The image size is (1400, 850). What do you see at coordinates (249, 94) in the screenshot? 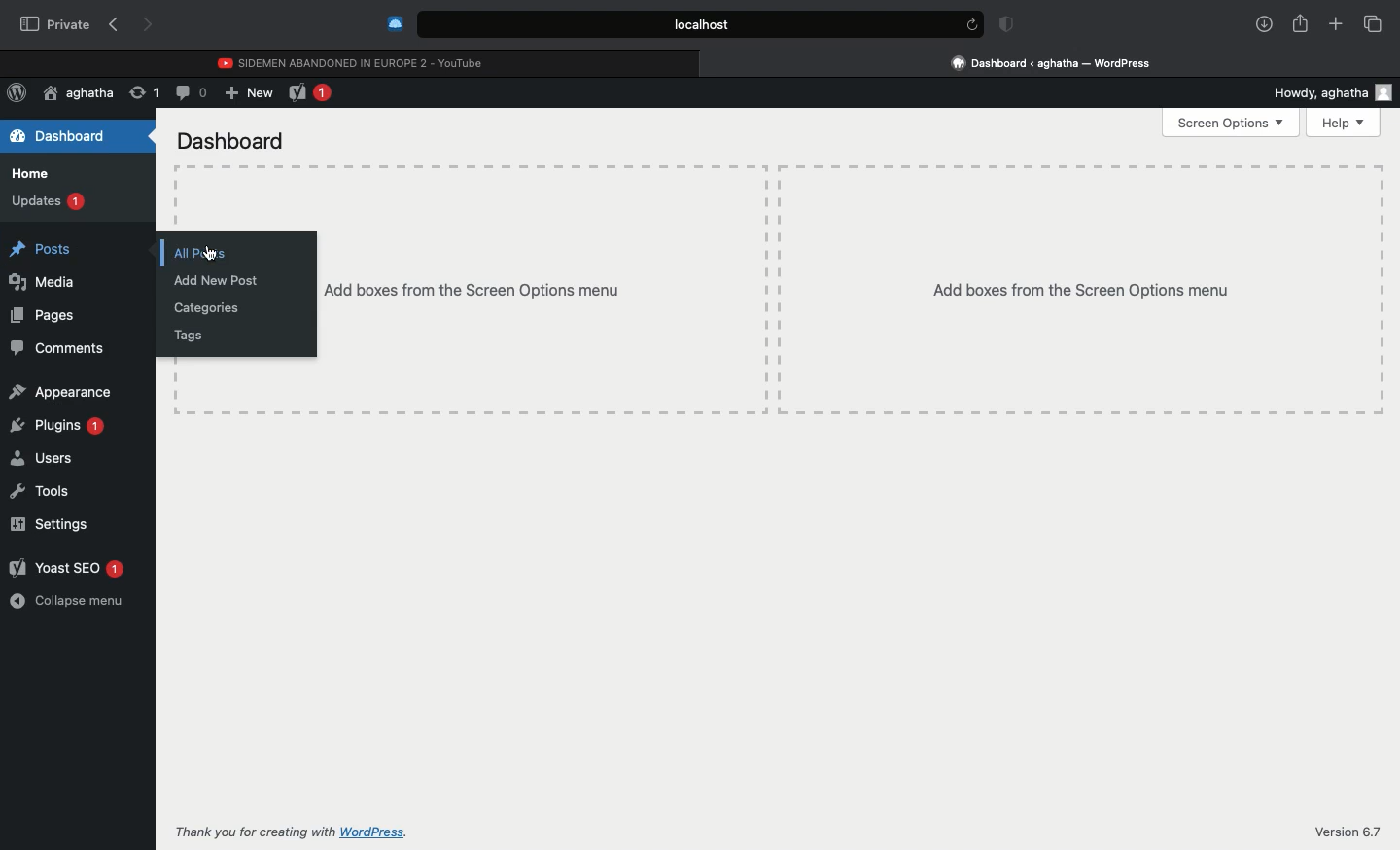
I see `New` at bounding box center [249, 94].